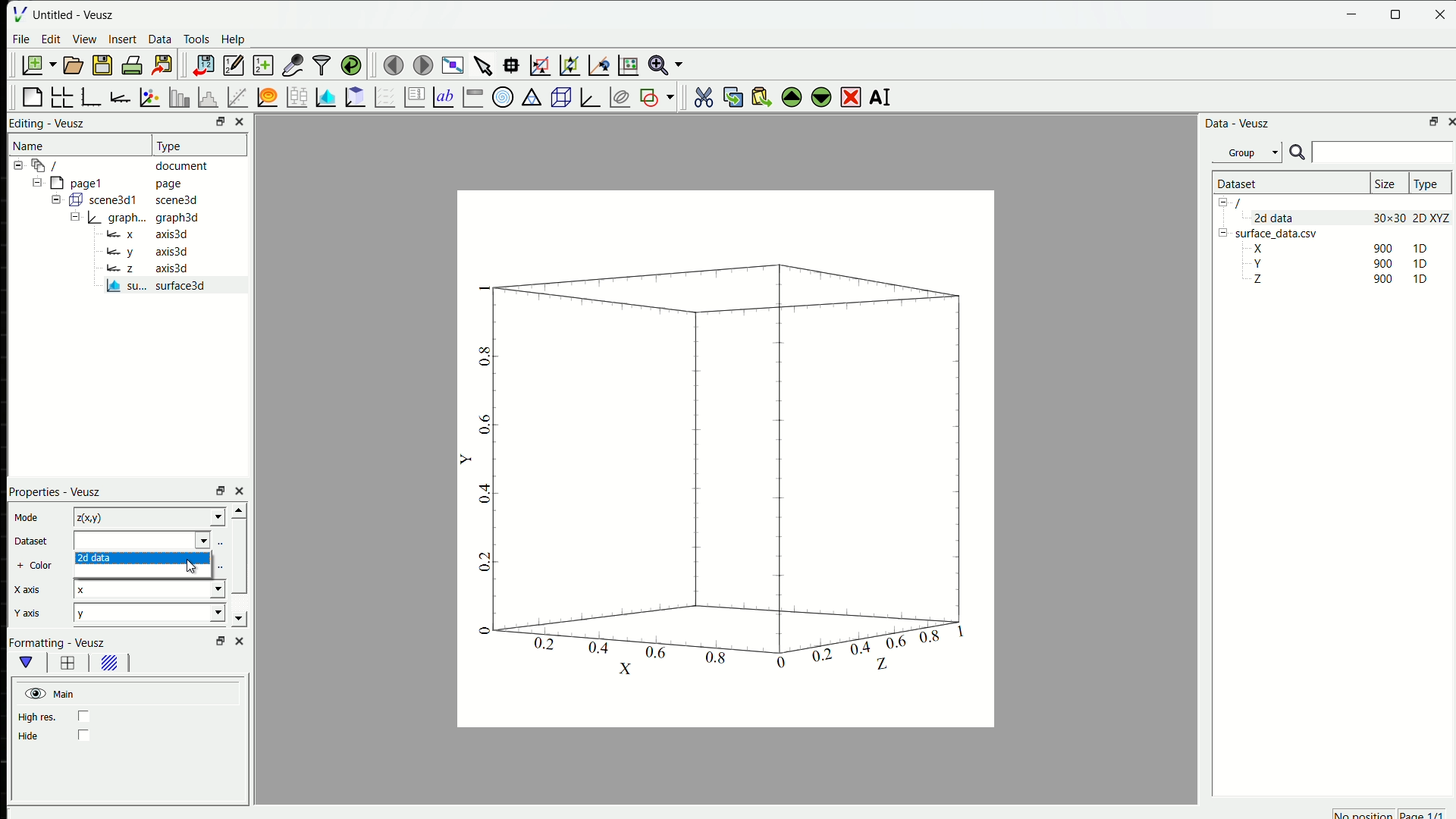  I want to click on open in separate window, so click(221, 640).